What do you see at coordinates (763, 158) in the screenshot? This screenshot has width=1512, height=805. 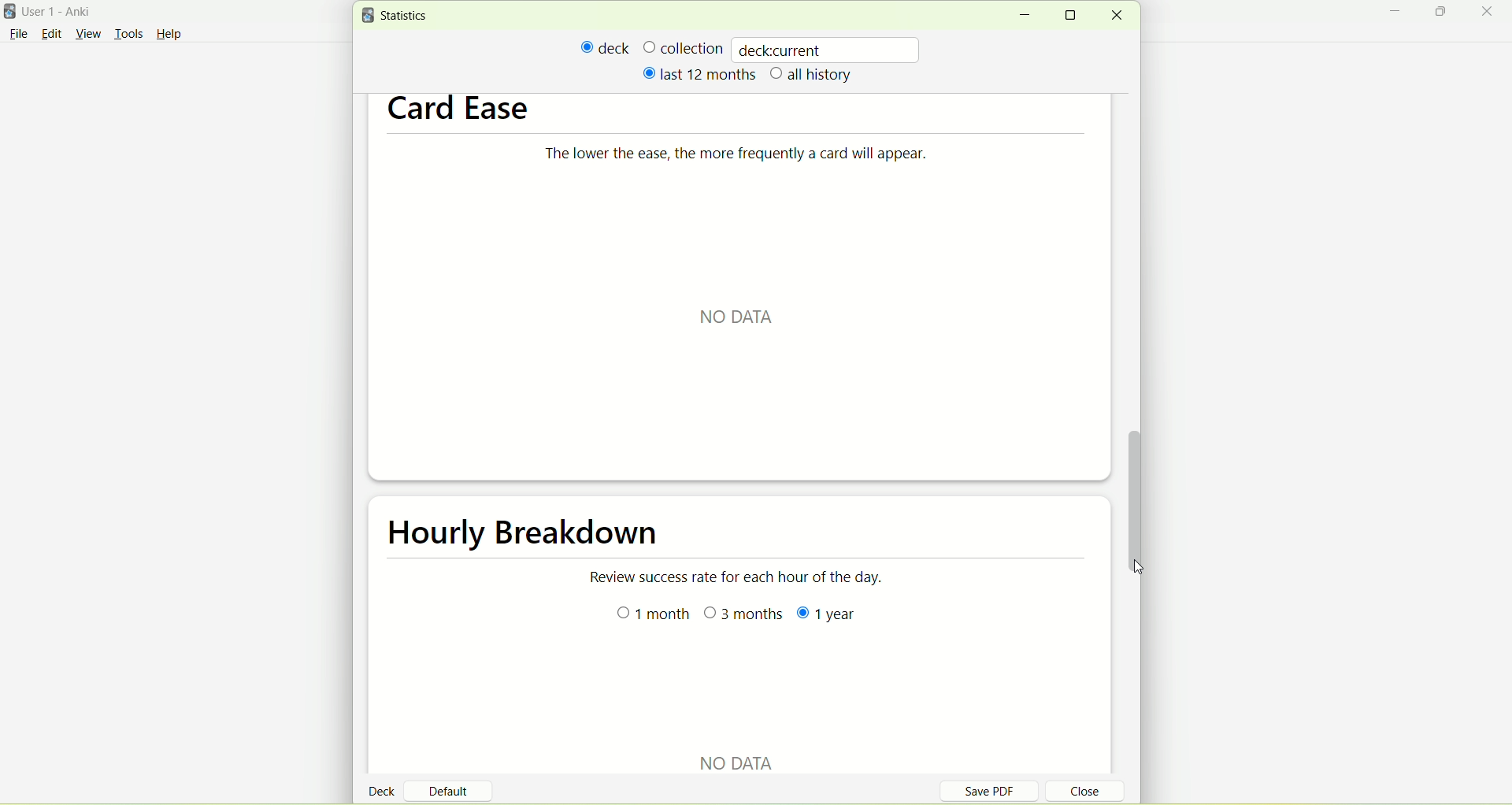 I see `The lower the ease, the more frequently a card will appear.` at bounding box center [763, 158].